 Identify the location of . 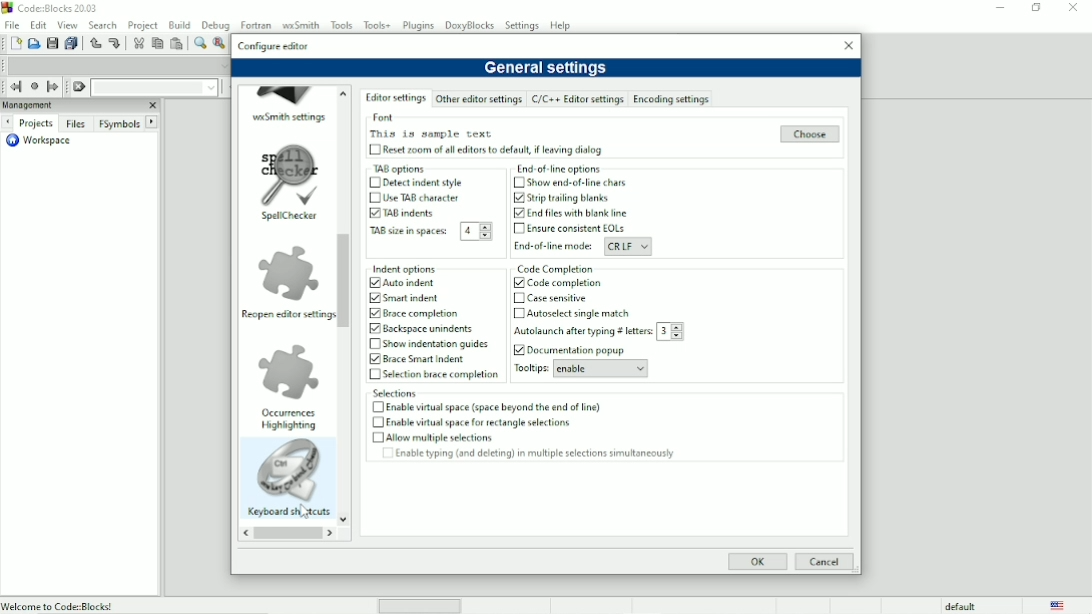
(372, 344).